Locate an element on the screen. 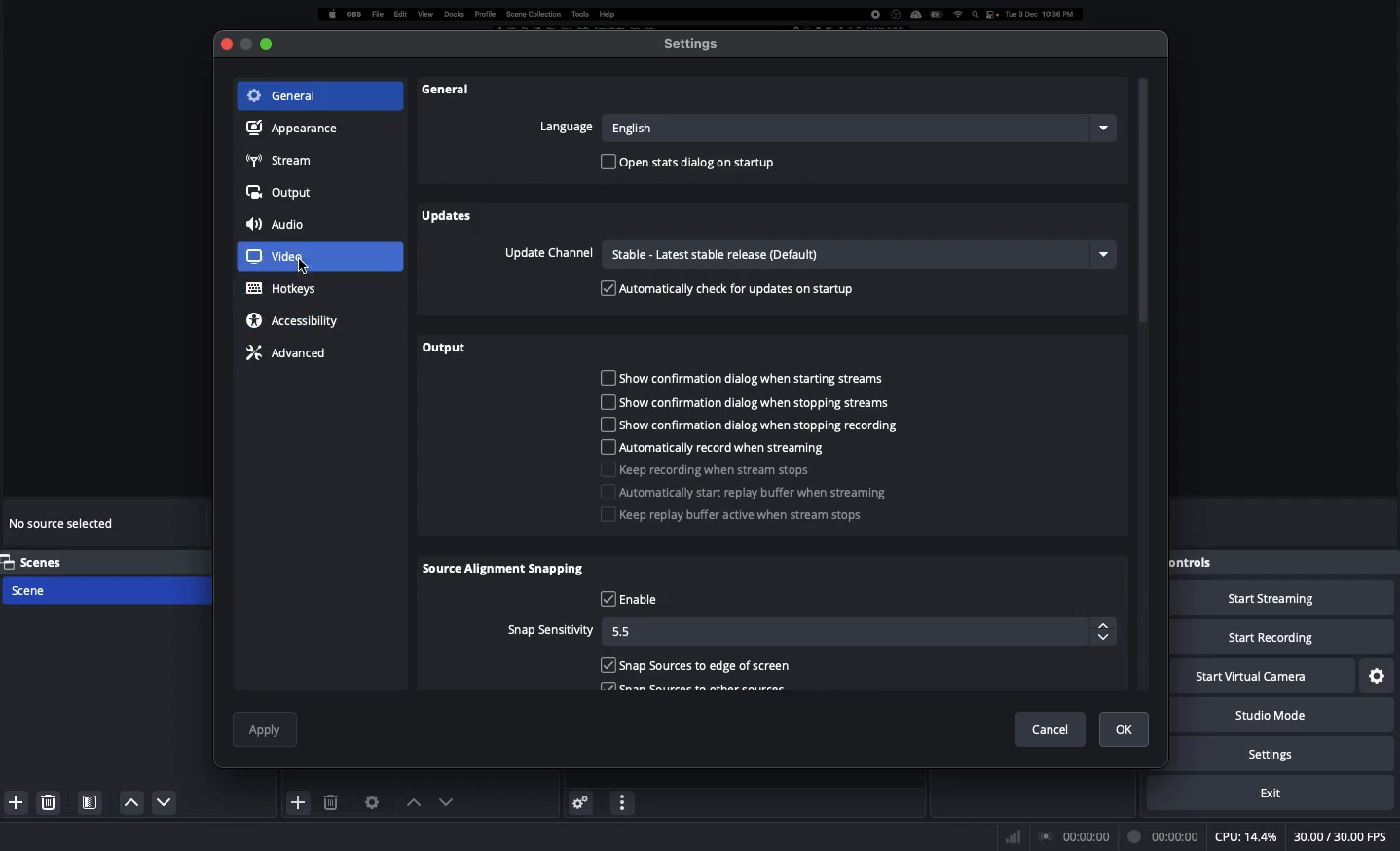 Image resolution: width=1400 pixels, height=851 pixels. Replay buffer when streaming is located at coordinates (749, 493).